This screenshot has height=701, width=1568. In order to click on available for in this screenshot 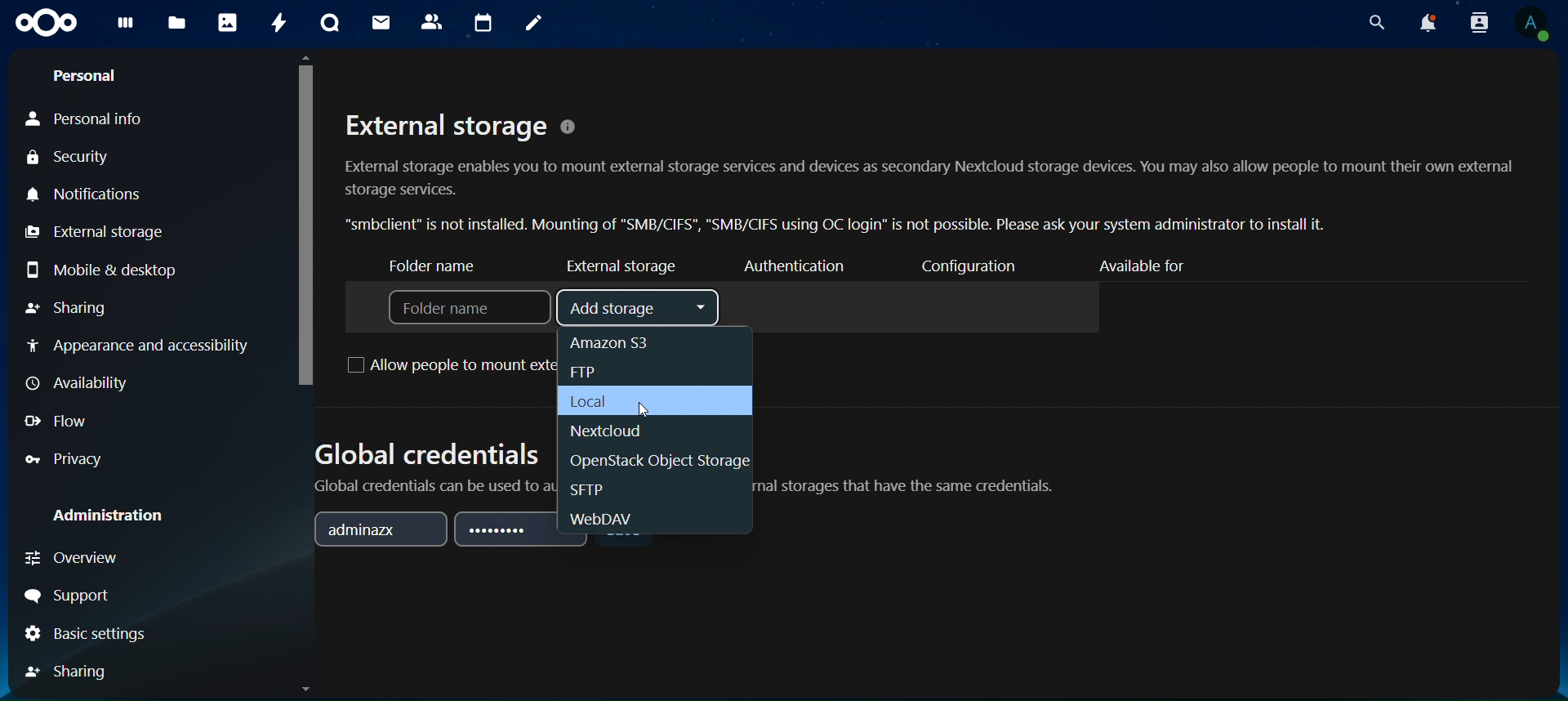, I will do `click(1150, 265)`.